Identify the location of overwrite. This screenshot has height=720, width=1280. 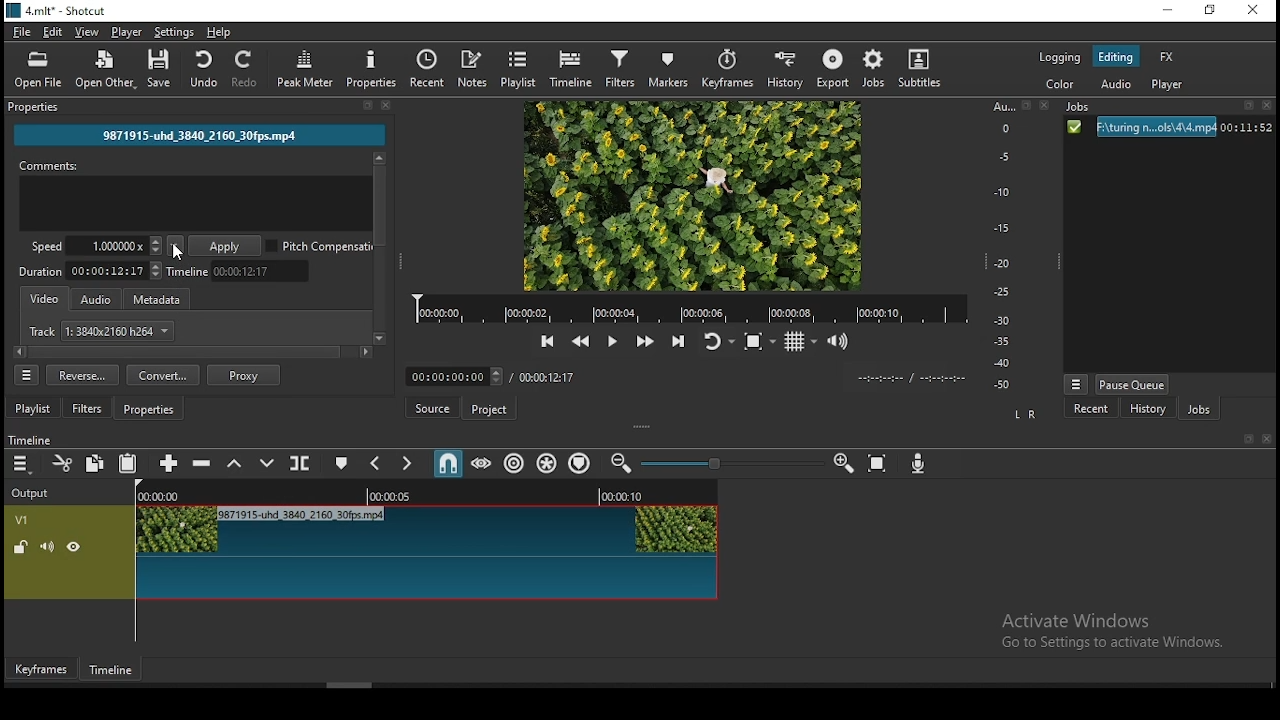
(263, 461).